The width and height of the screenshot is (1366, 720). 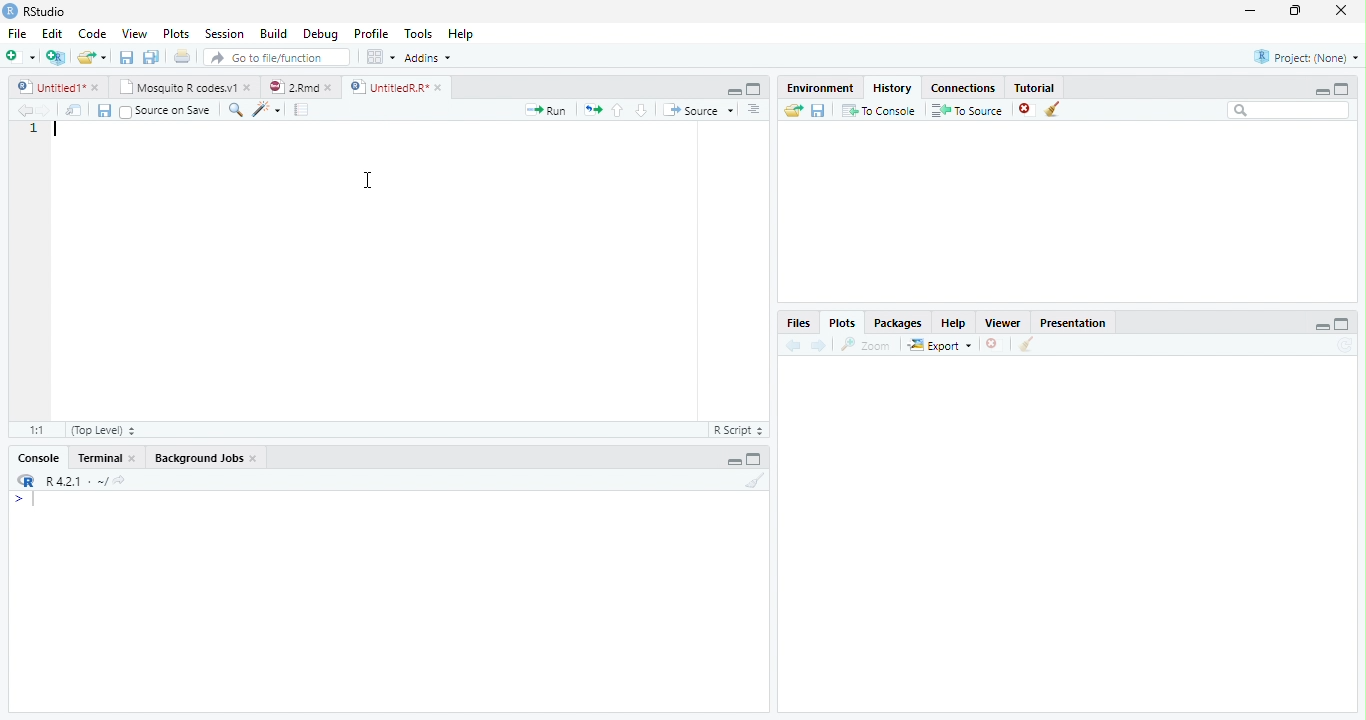 What do you see at coordinates (97, 87) in the screenshot?
I see `close` at bounding box center [97, 87].